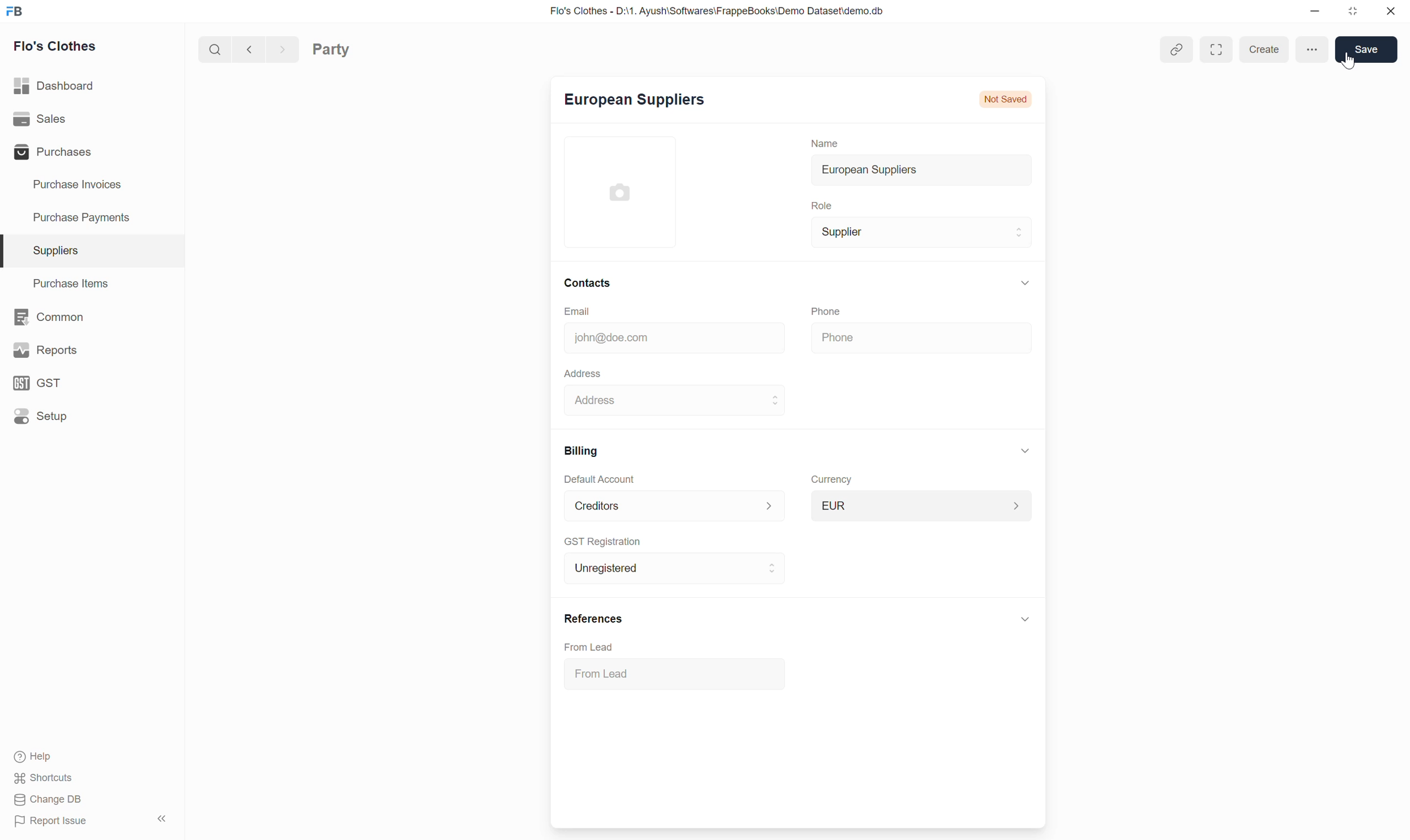 This screenshot has width=1410, height=840. Describe the element at coordinates (1354, 12) in the screenshot. I see `close down` at that location.